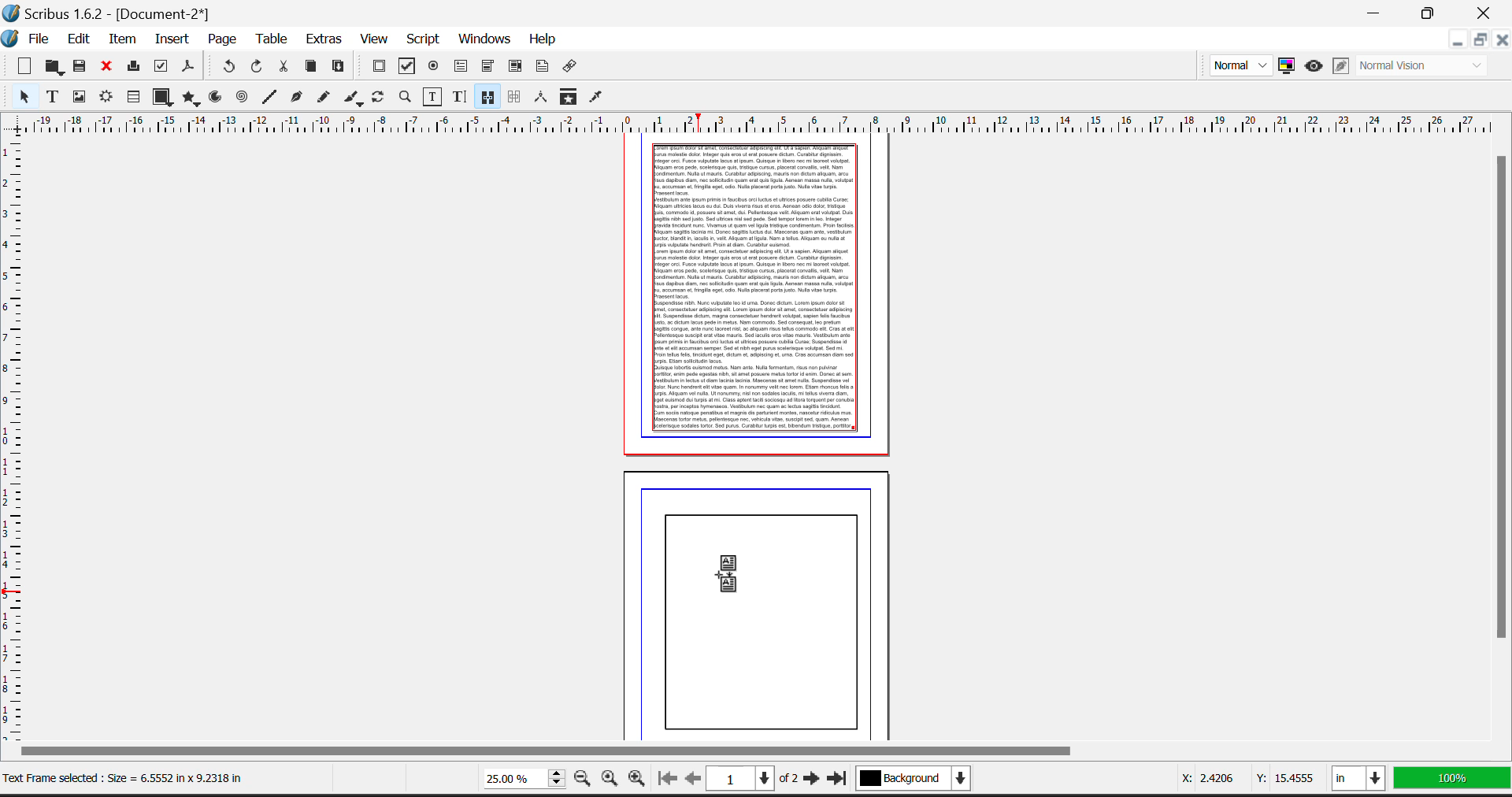 The width and height of the screenshot is (1512, 797). What do you see at coordinates (424, 40) in the screenshot?
I see `Script` at bounding box center [424, 40].